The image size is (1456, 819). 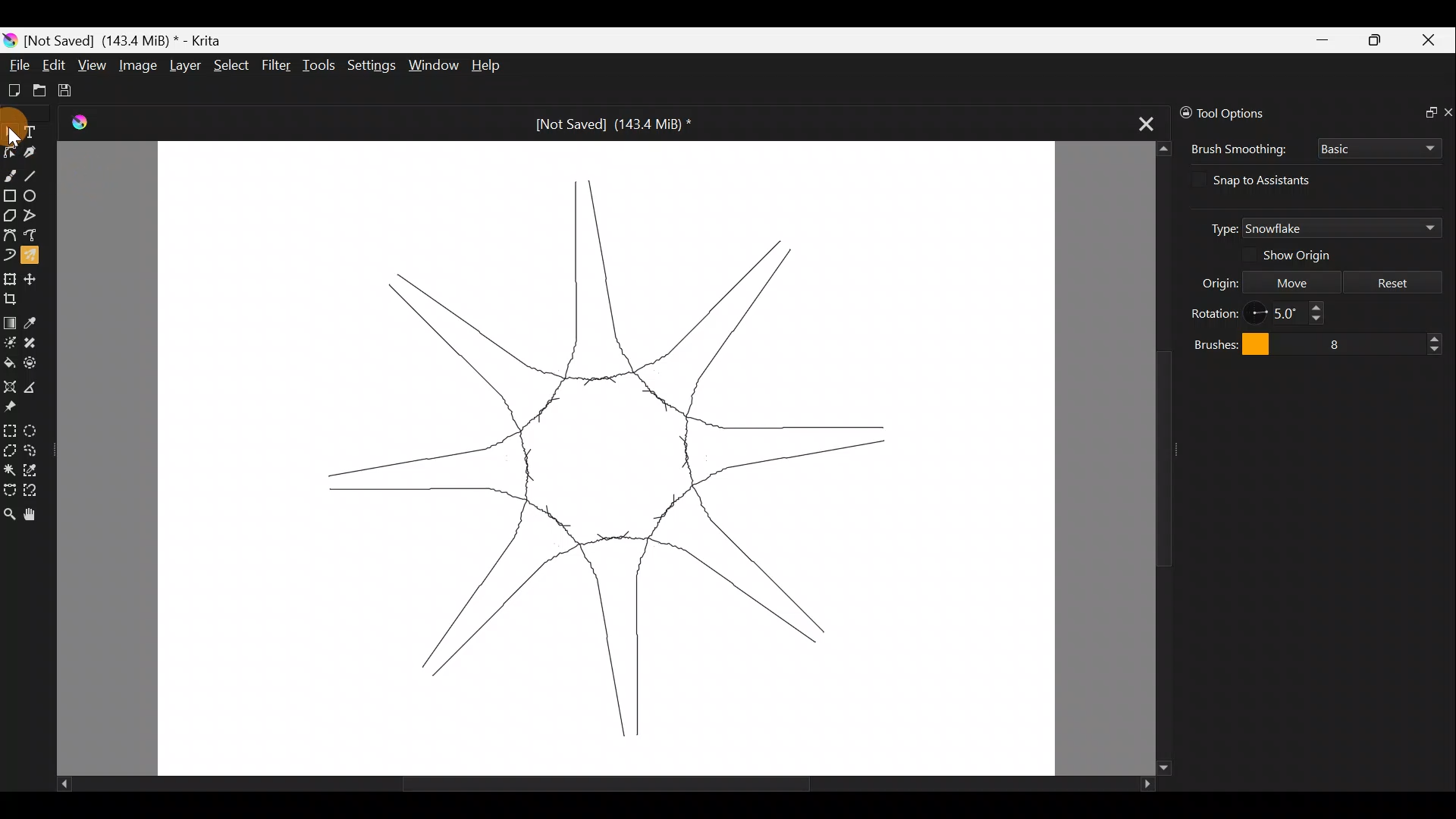 What do you see at coordinates (183, 65) in the screenshot?
I see `Layer` at bounding box center [183, 65].